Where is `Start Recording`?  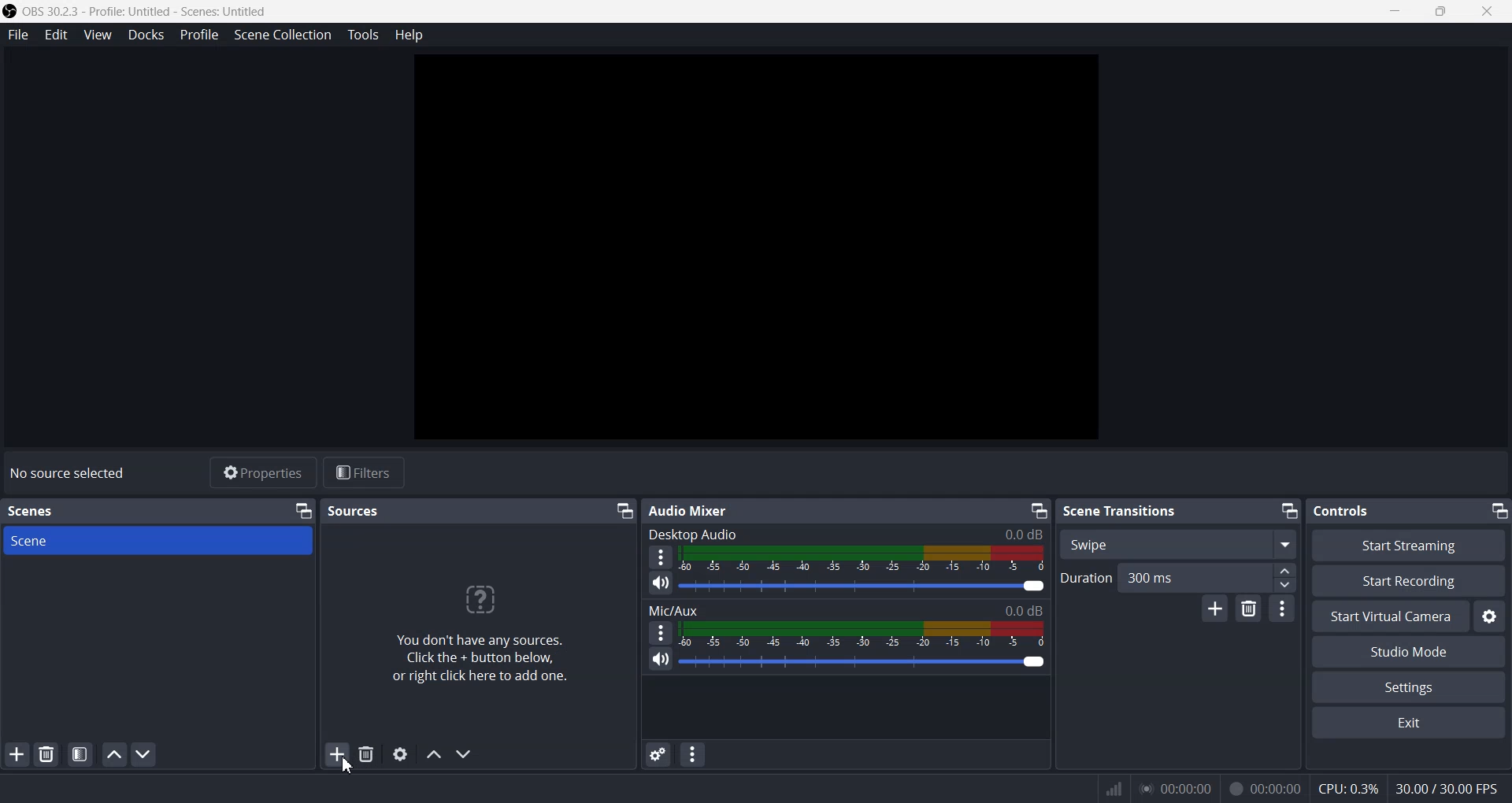
Start Recording is located at coordinates (1409, 581).